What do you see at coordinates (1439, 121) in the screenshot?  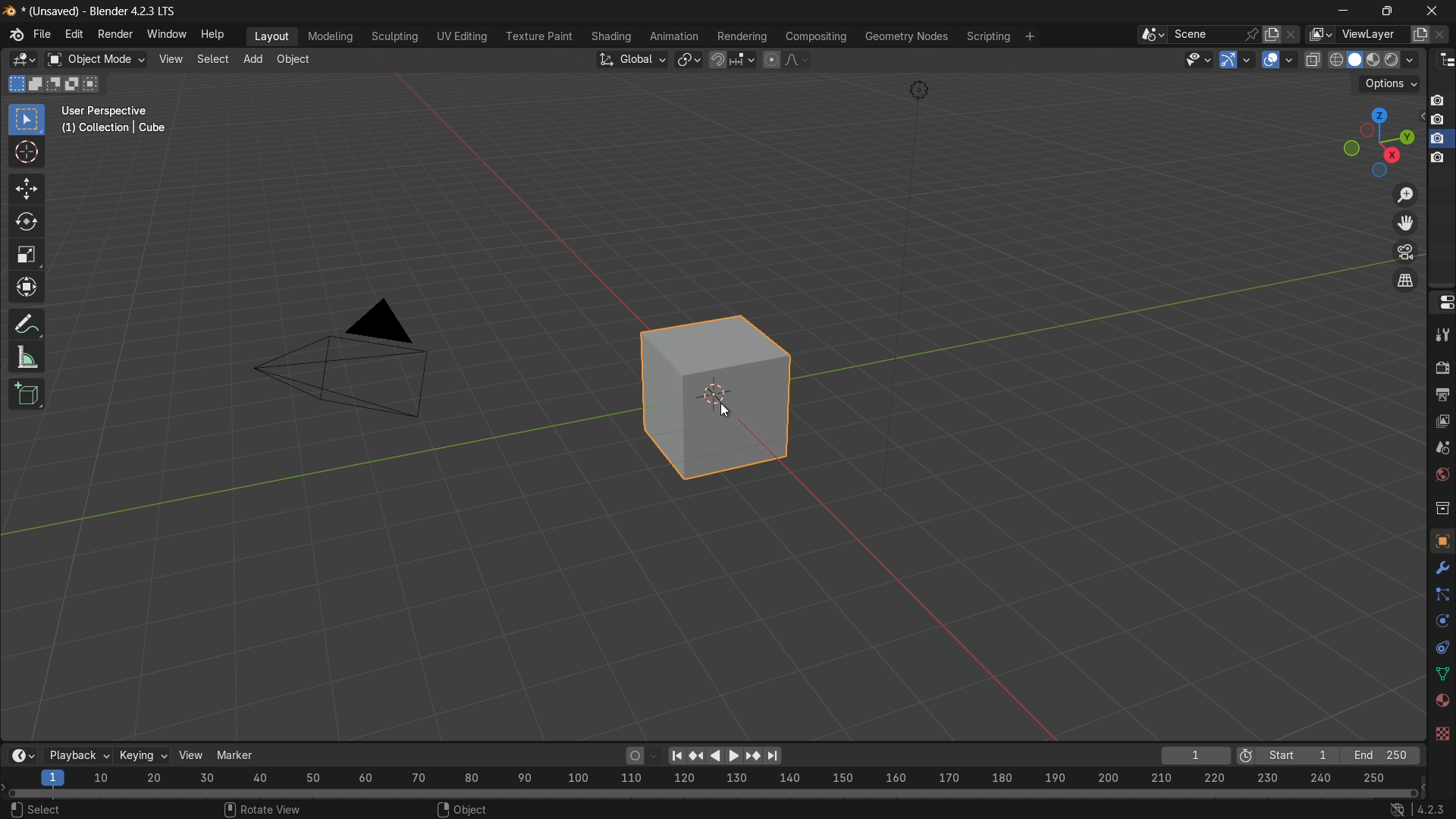 I see `Icon2` at bounding box center [1439, 121].